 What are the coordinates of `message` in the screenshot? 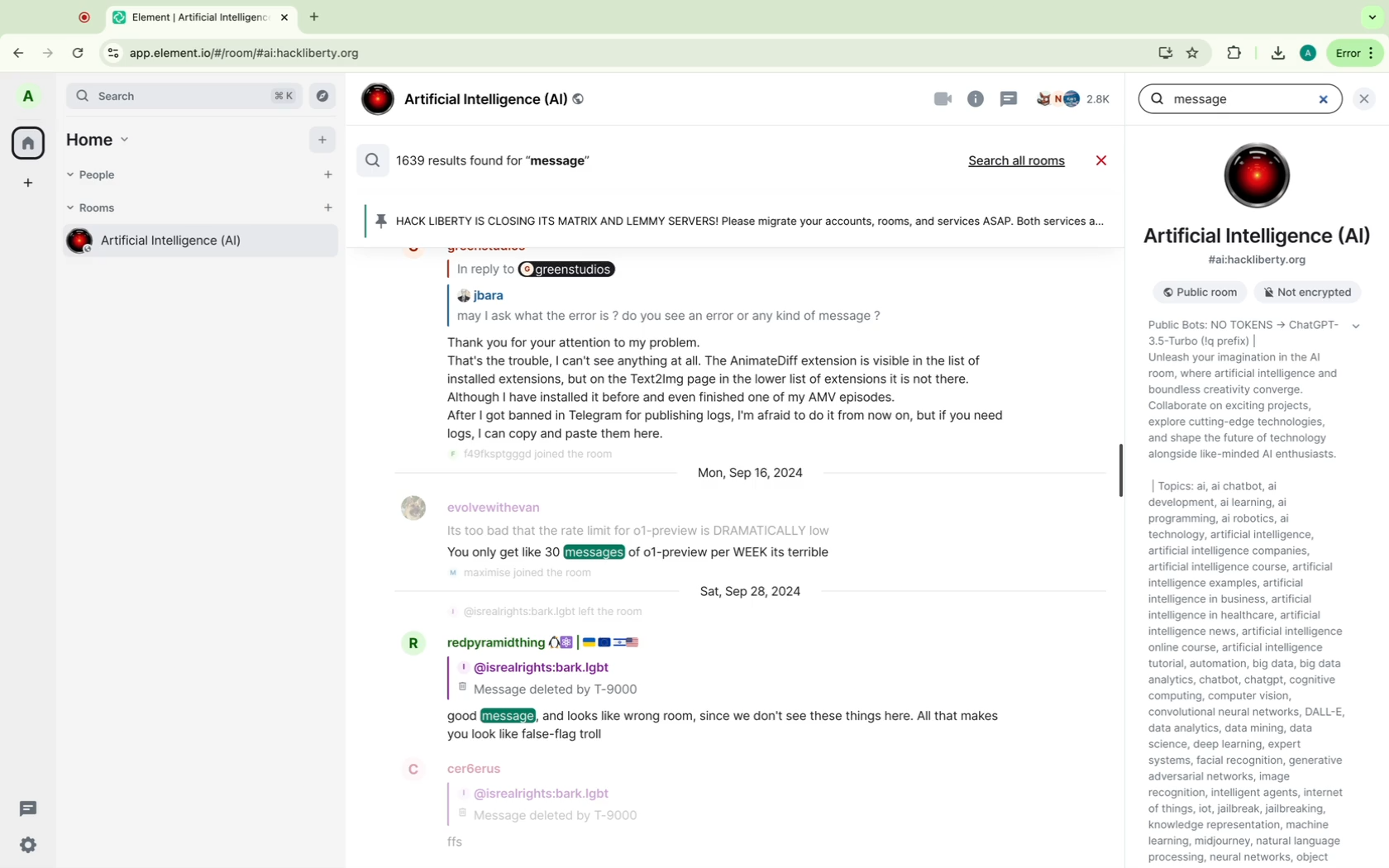 It's located at (1200, 98).